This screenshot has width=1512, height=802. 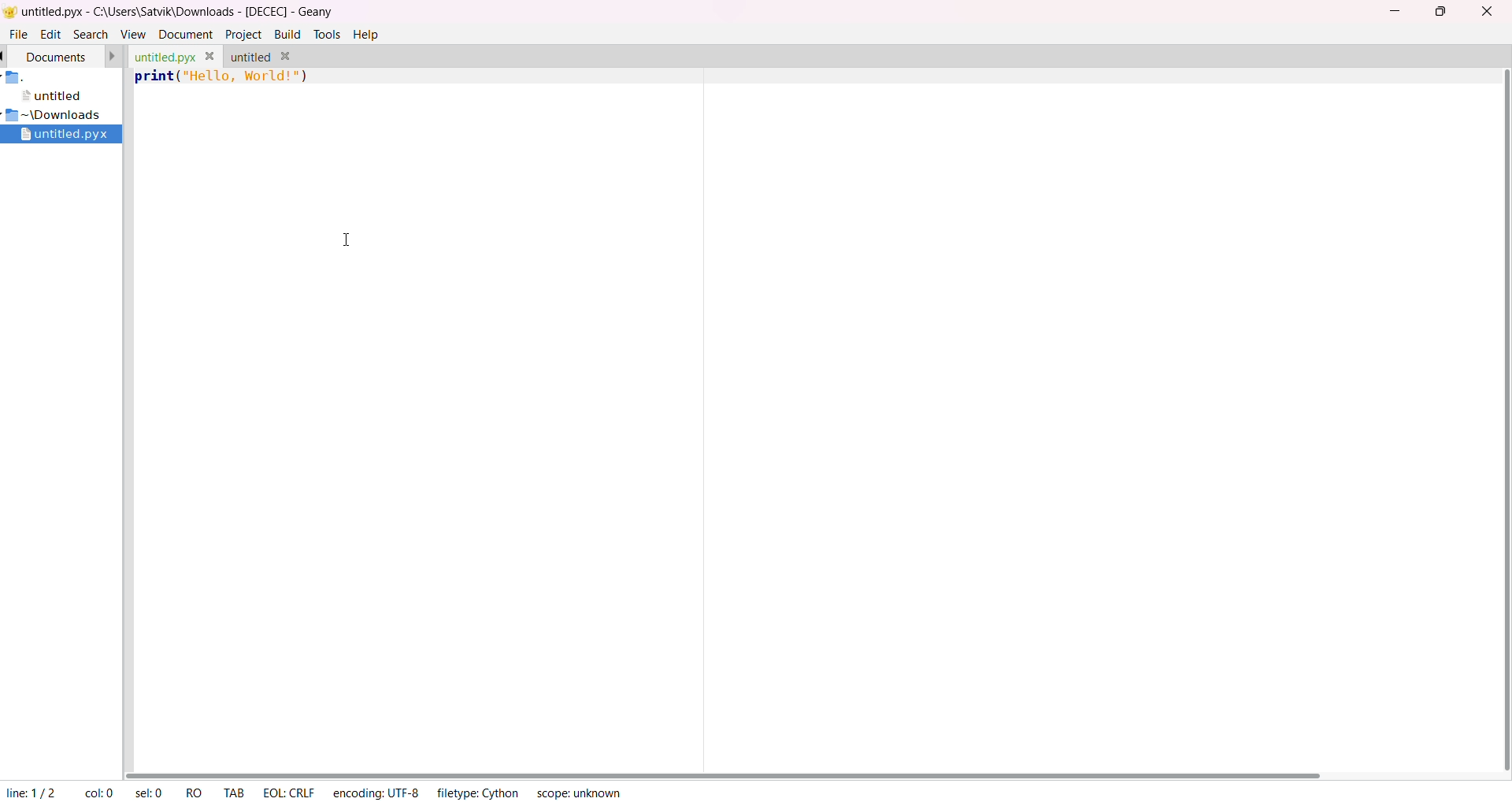 What do you see at coordinates (730, 771) in the screenshot?
I see `horizontal scroll bar` at bounding box center [730, 771].